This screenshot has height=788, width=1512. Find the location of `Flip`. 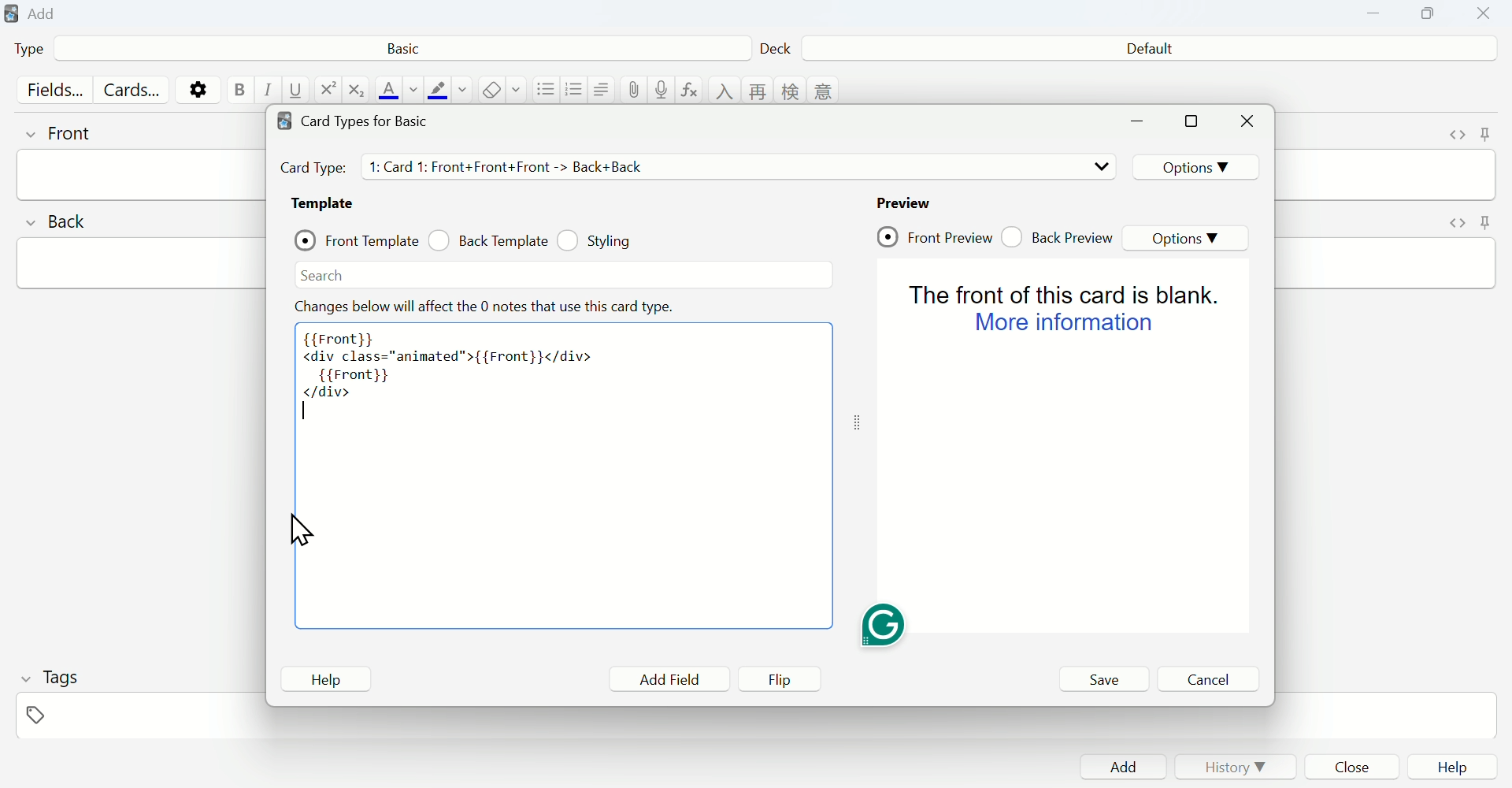

Flip is located at coordinates (779, 679).